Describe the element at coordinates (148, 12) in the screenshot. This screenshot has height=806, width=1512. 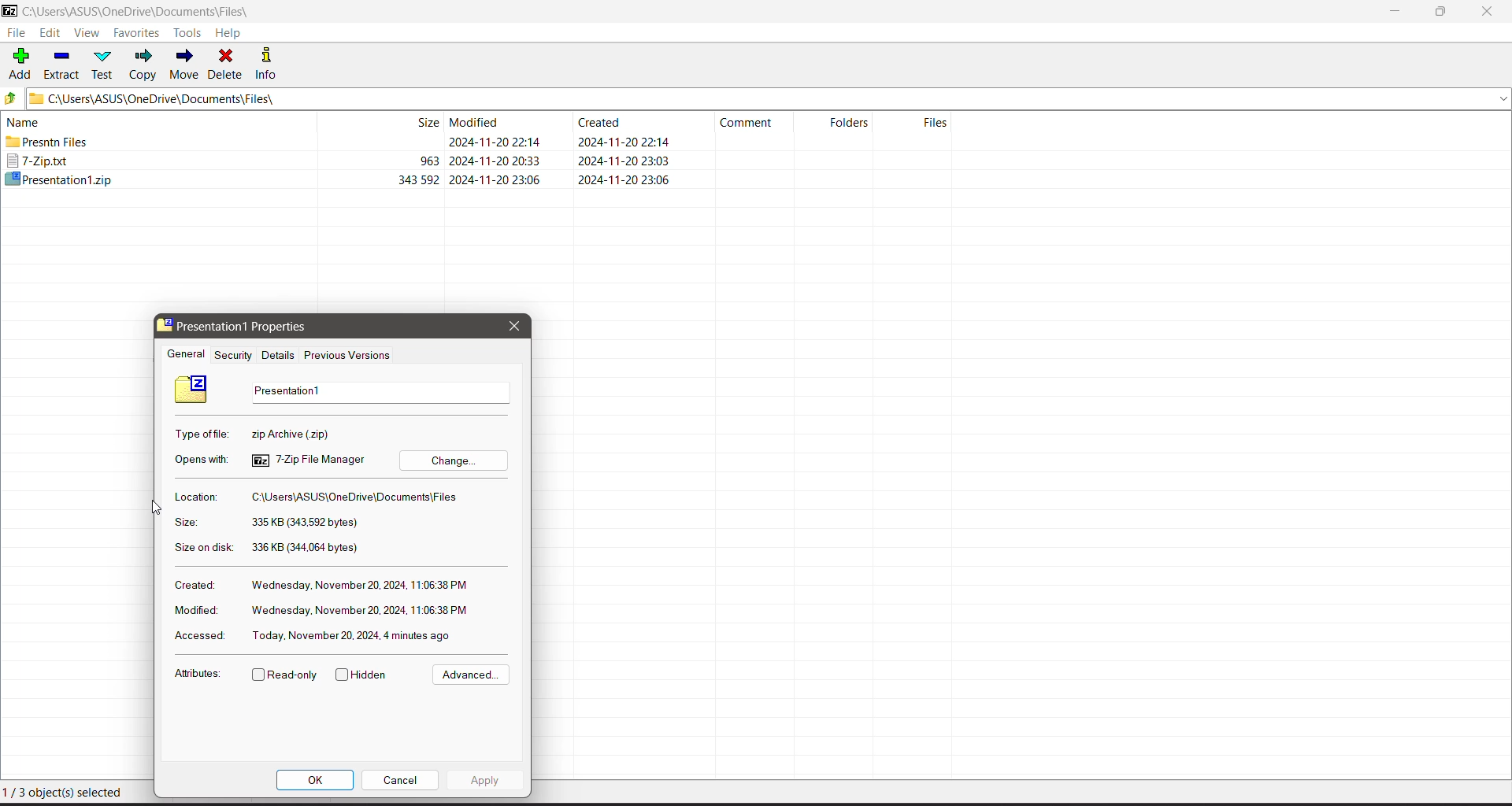
I see `Current Folder Path` at that location.